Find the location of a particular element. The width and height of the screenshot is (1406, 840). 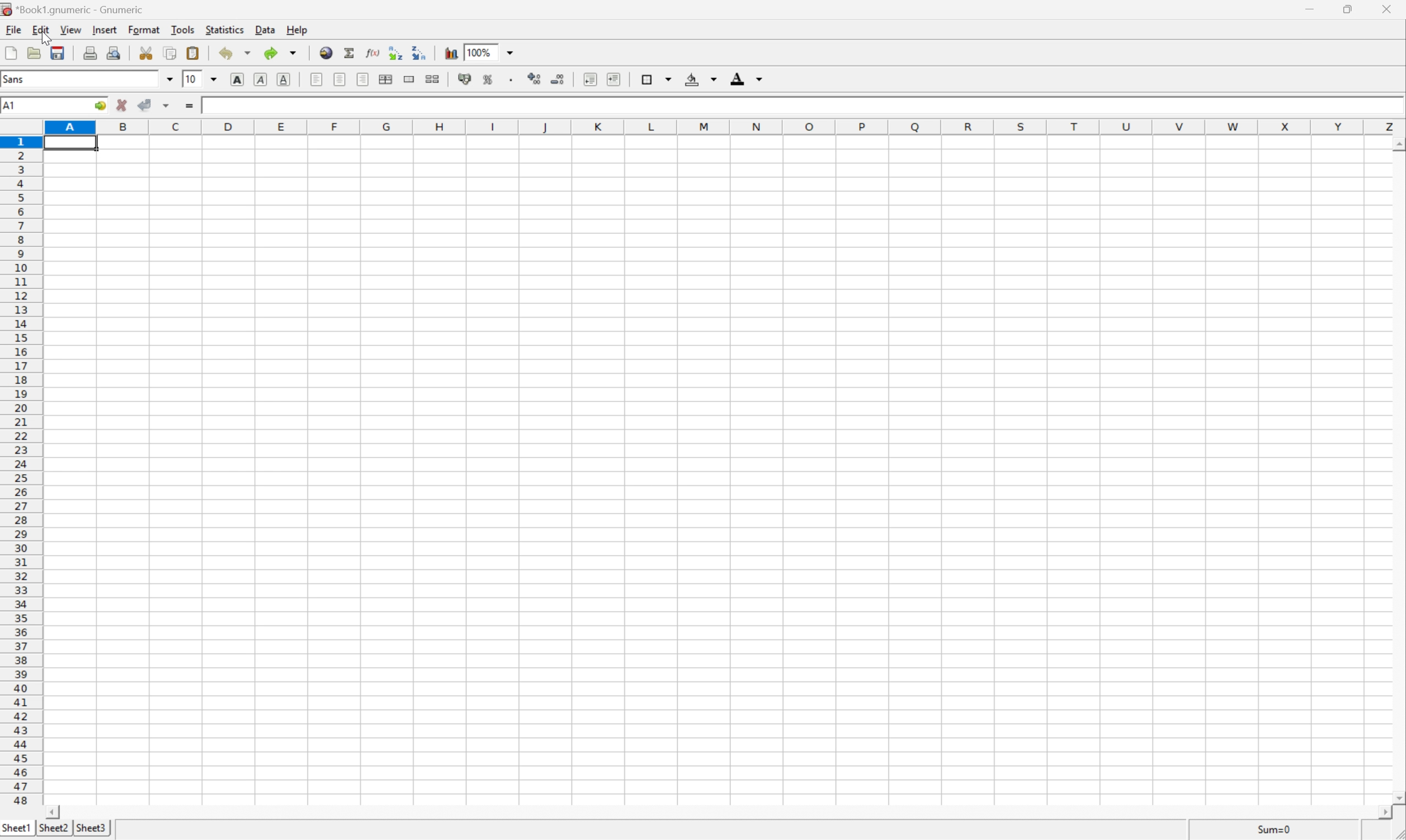

Align right is located at coordinates (363, 79).